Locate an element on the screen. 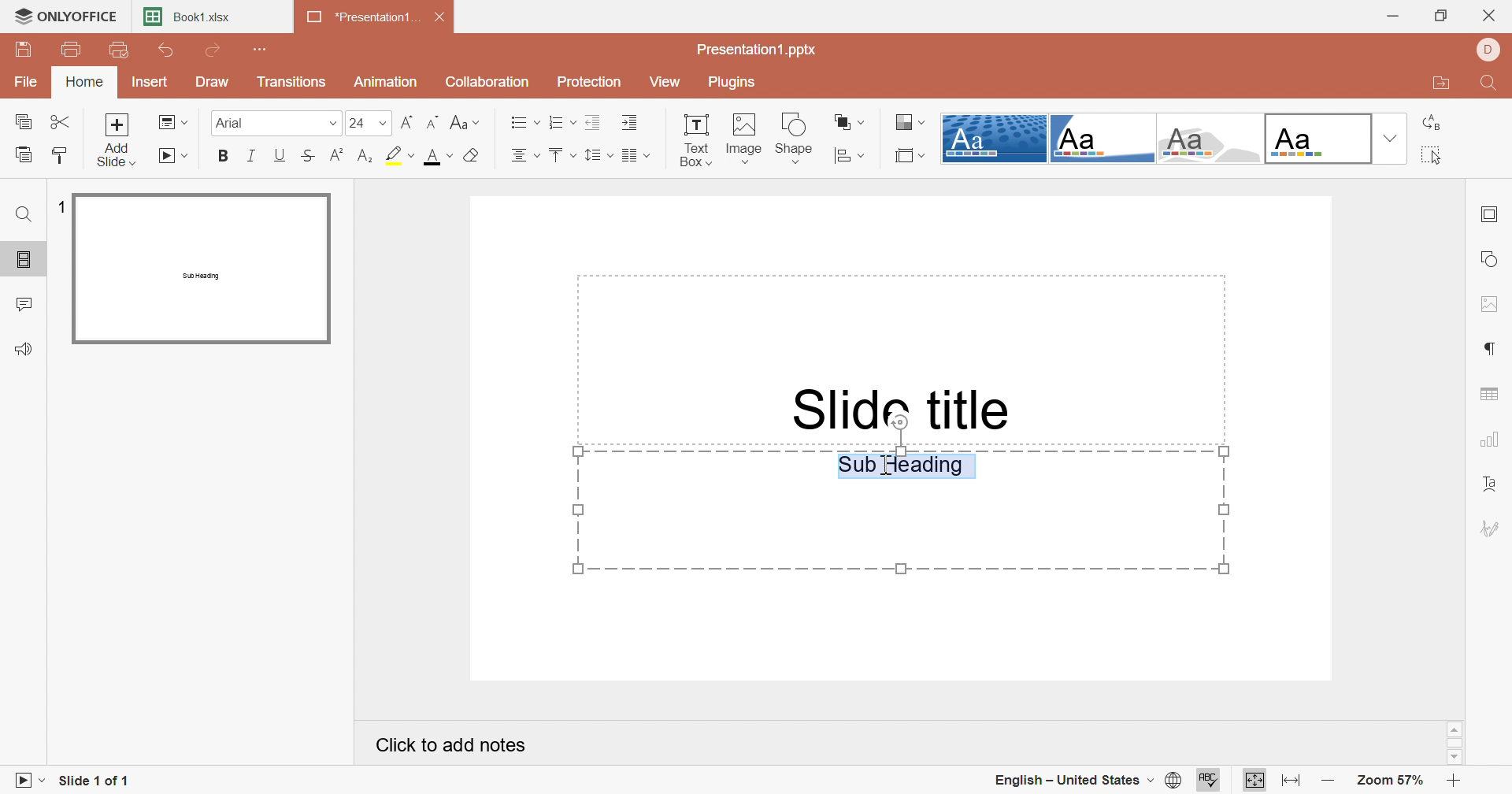 The height and width of the screenshot is (794, 1512). Transitions is located at coordinates (291, 82).